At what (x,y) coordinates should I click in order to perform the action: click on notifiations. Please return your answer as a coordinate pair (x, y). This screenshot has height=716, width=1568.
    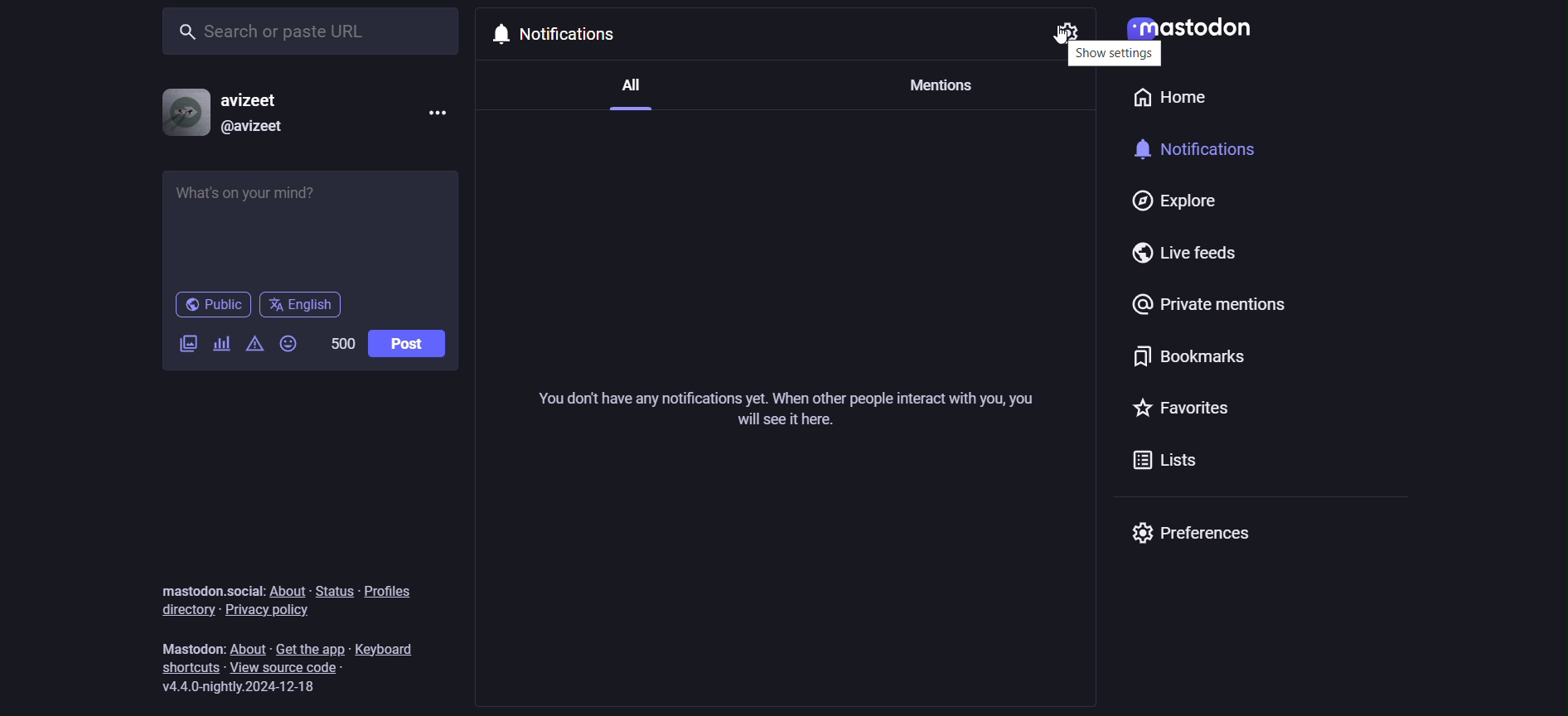
    Looking at the image, I should click on (574, 32).